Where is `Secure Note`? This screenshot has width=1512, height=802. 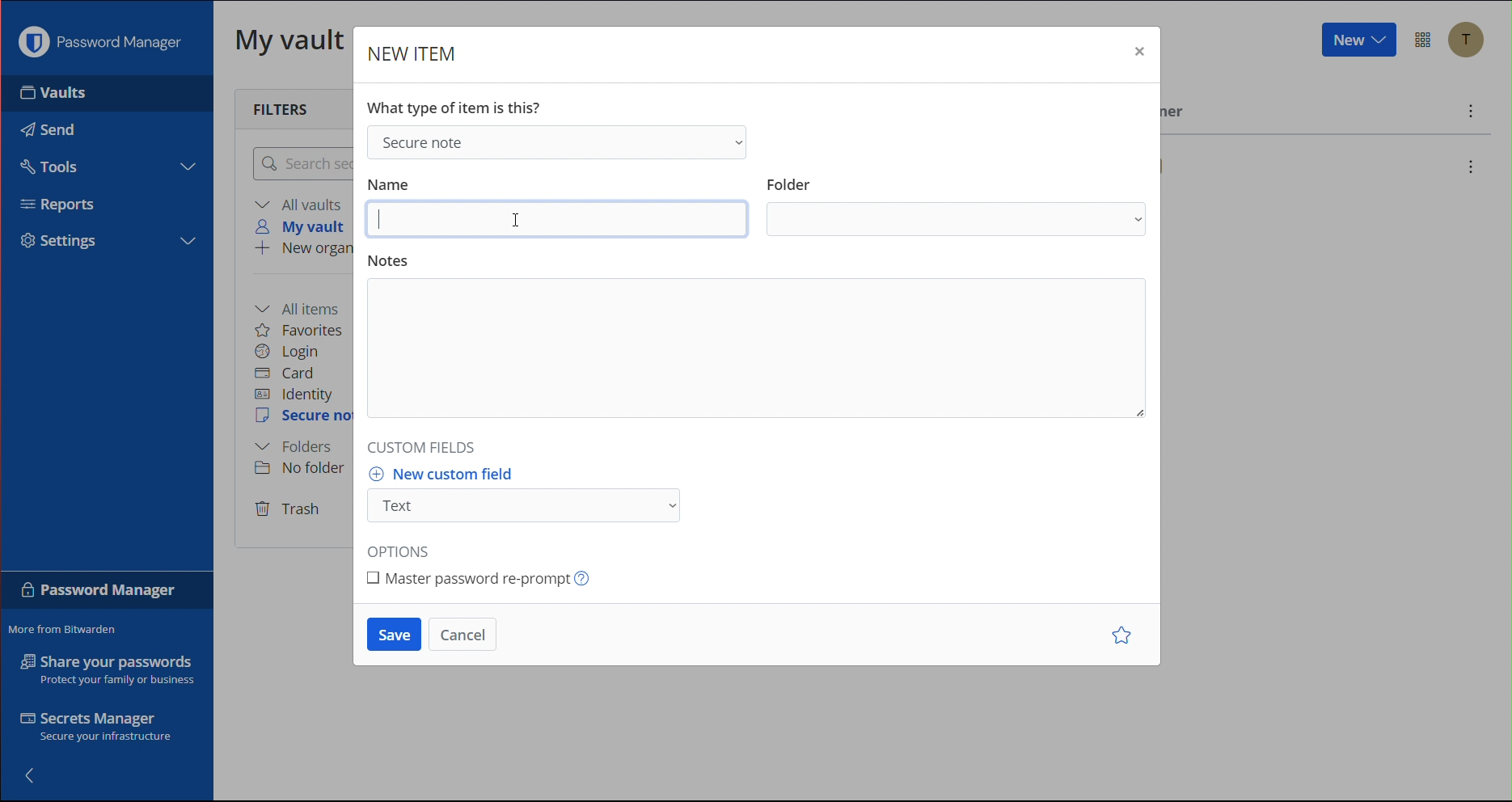 Secure Note is located at coordinates (304, 416).